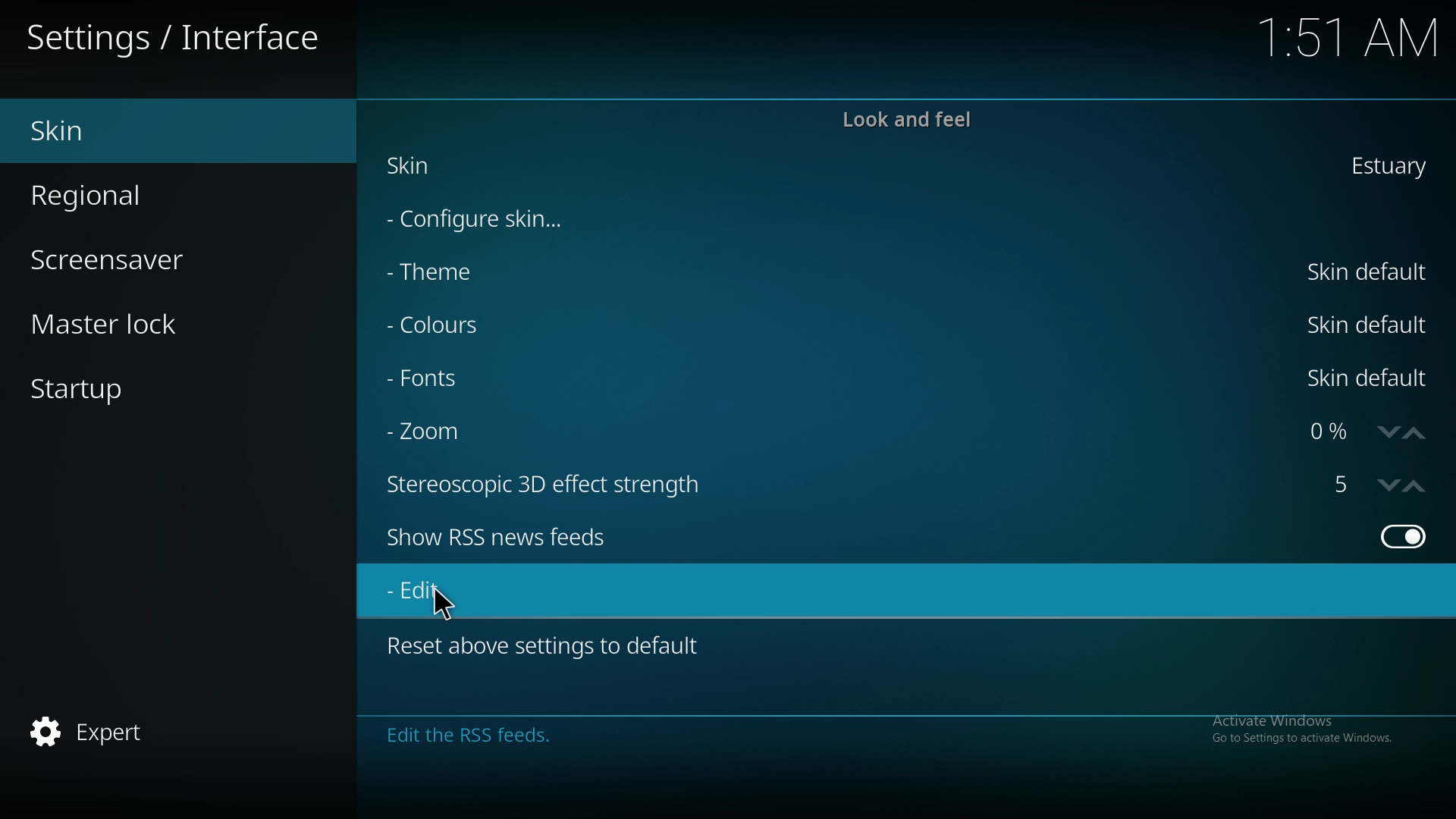 Image resolution: width=1456 pixels, height=819 pixels. Describe the element at coordinates (442, 604) in the screenshot. I see `cursor` at that location.